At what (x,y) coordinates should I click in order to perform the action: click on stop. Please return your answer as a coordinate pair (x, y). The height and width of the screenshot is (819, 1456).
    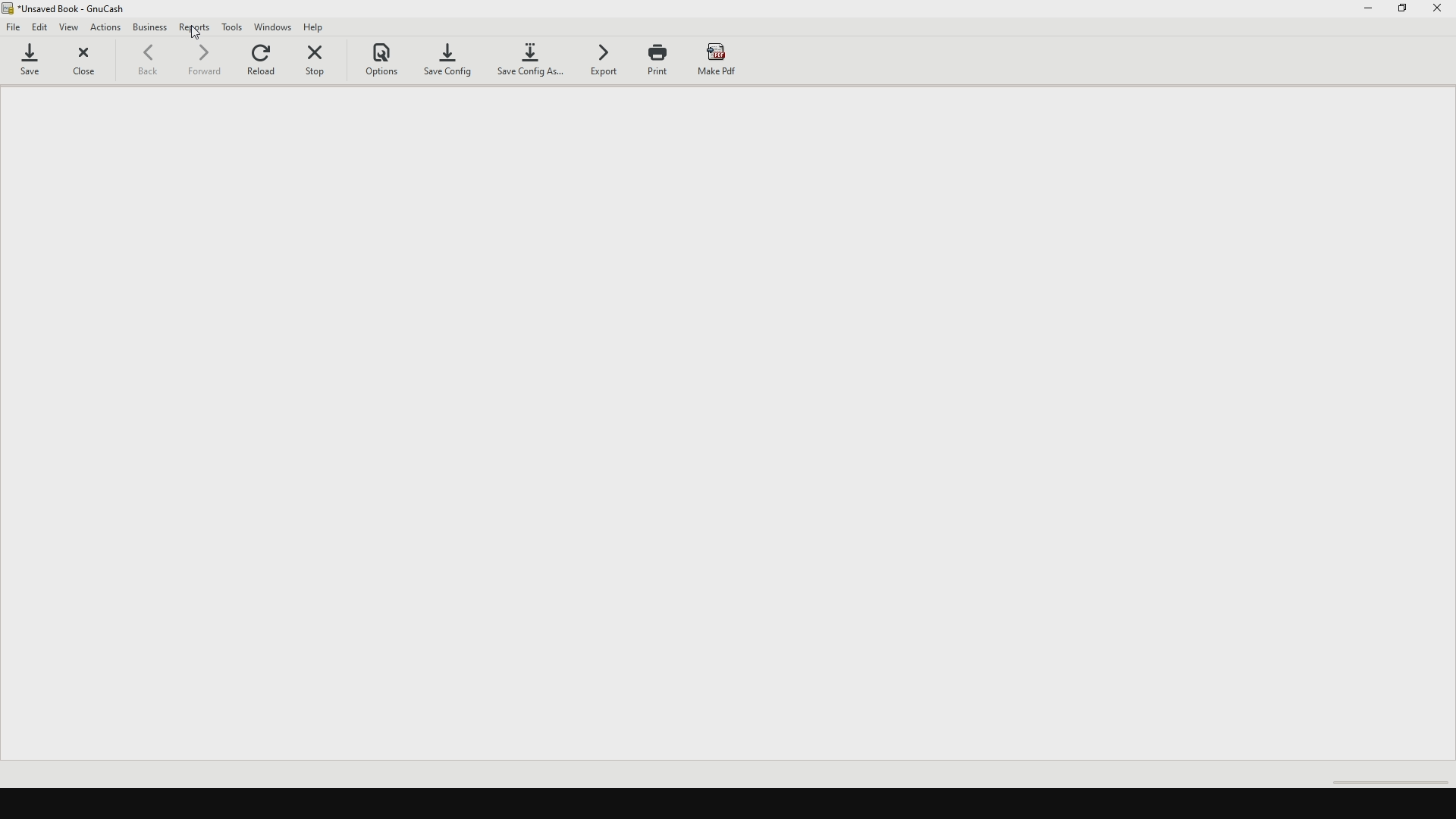
    Looking at the image, I should click on (323, 60).